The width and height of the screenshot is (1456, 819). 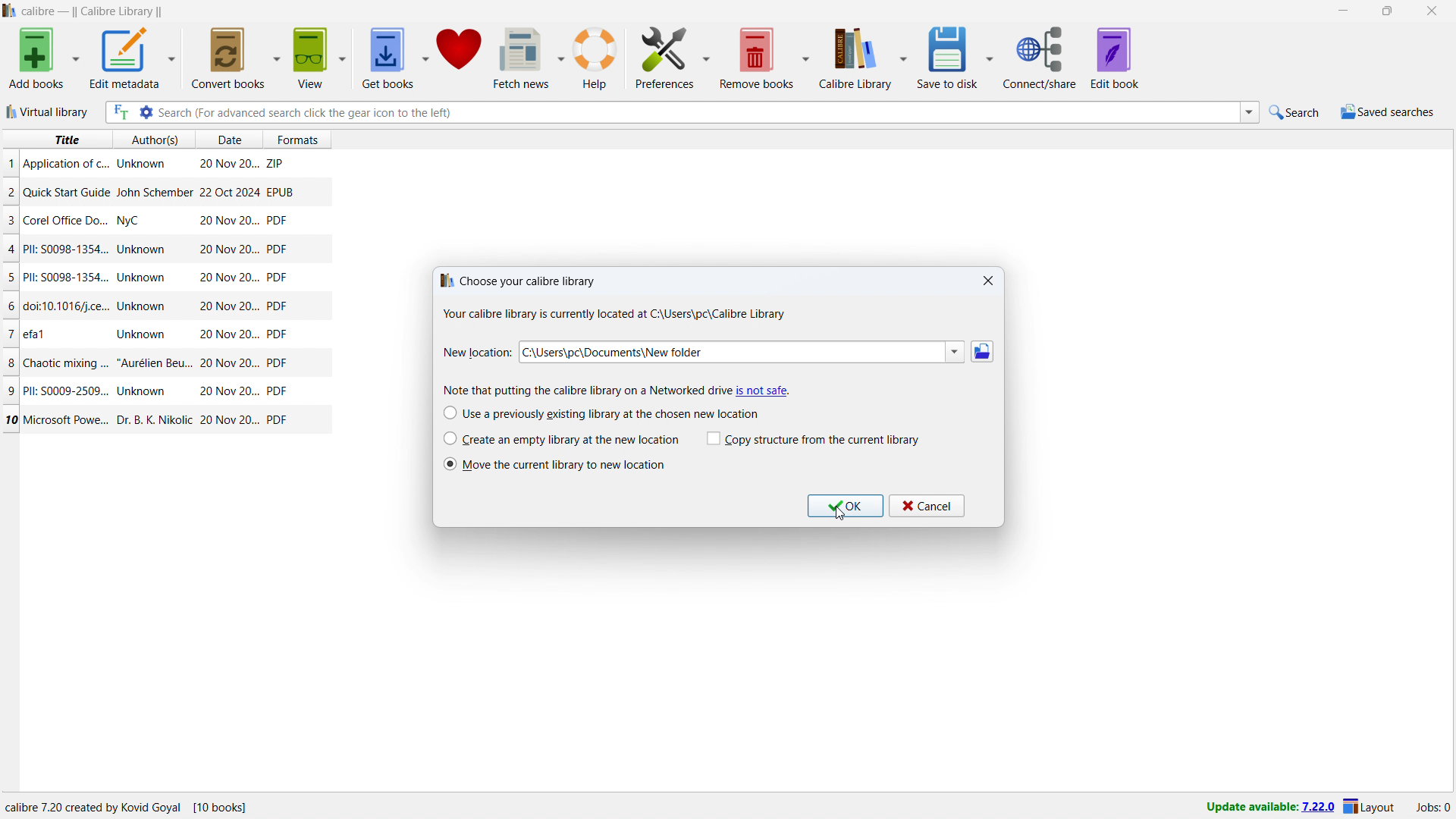 What do you see at coordinates (231, 363) in the screenshot?
I see `Date` at bounding box center [231, 363].